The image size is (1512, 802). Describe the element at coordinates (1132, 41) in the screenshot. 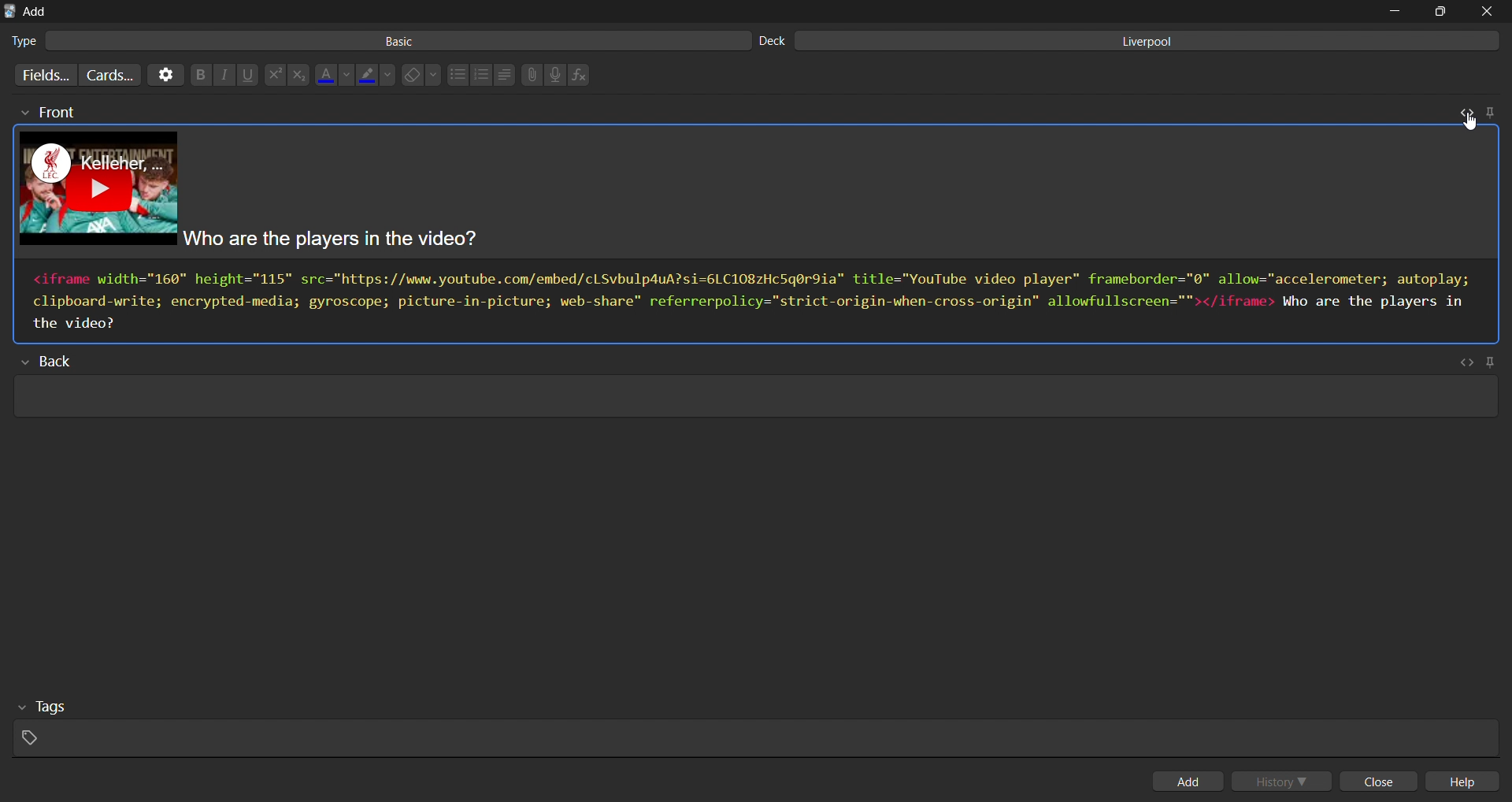

I see `liverpool deck input field` at that location.